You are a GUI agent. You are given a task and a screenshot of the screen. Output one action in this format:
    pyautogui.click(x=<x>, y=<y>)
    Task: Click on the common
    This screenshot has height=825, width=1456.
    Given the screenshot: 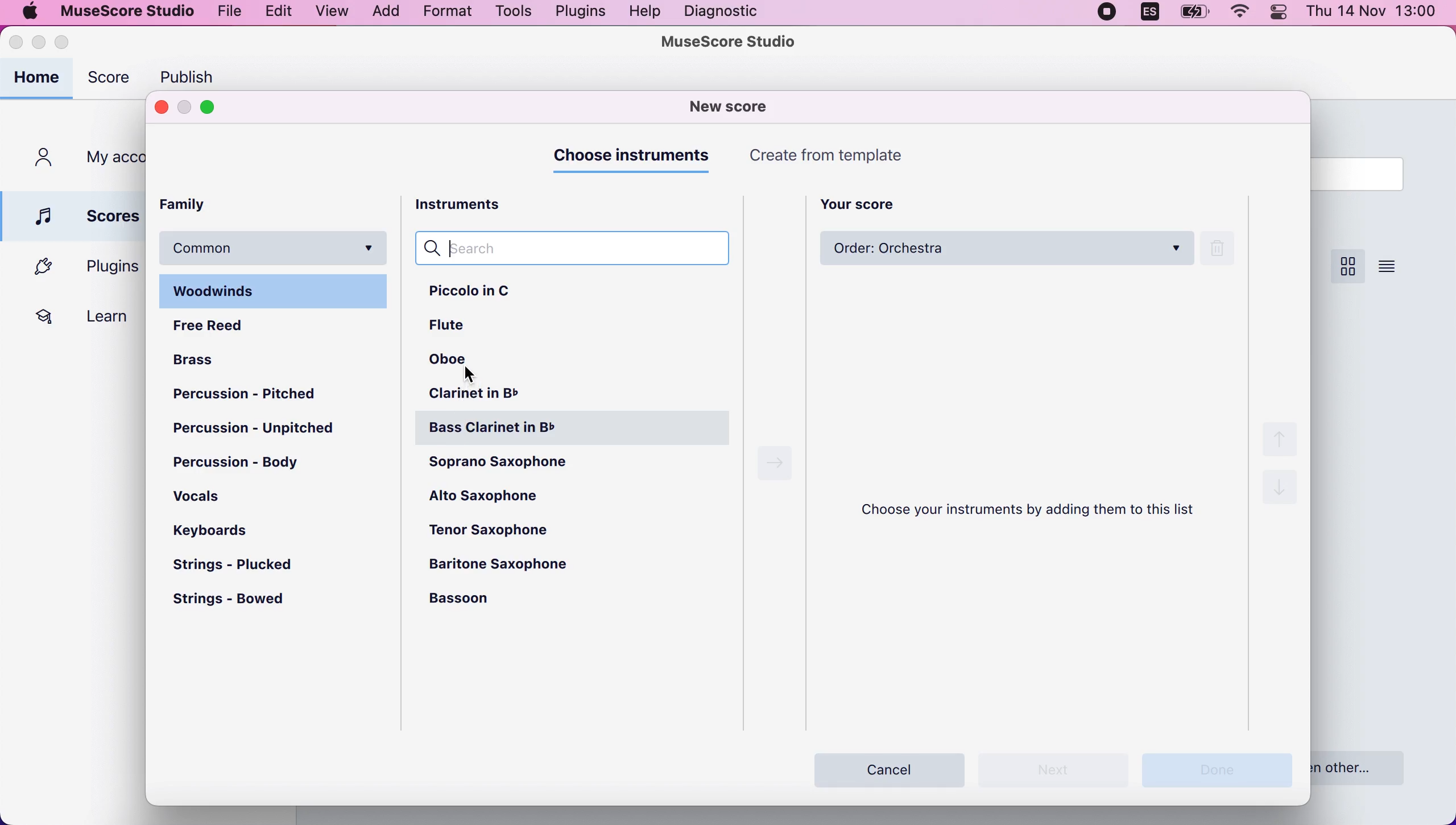 What is the action you would take?
    pyautogui.click(x=275, y=246)
    